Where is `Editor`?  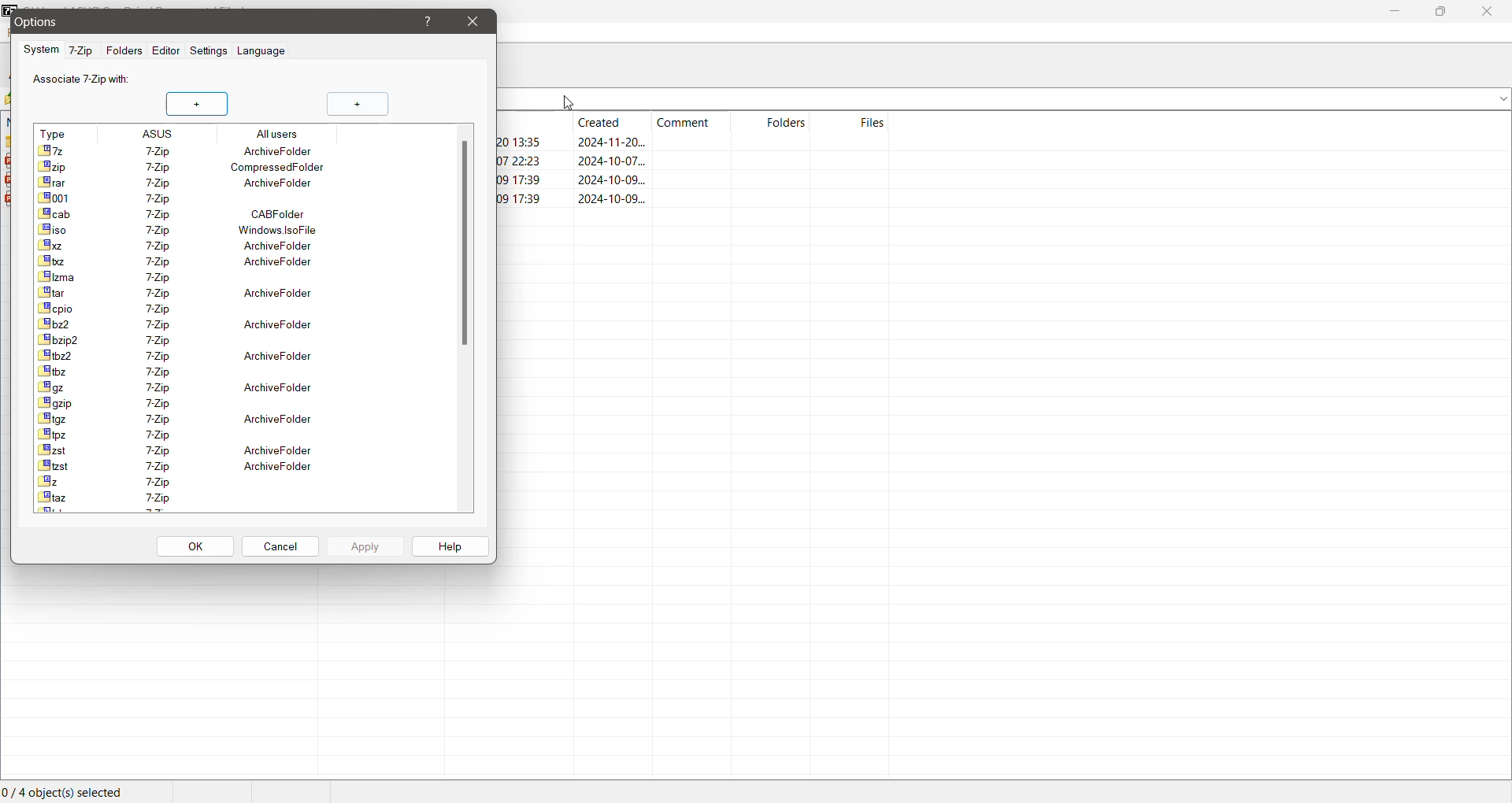 Editor is located at coordinates (164, 52).